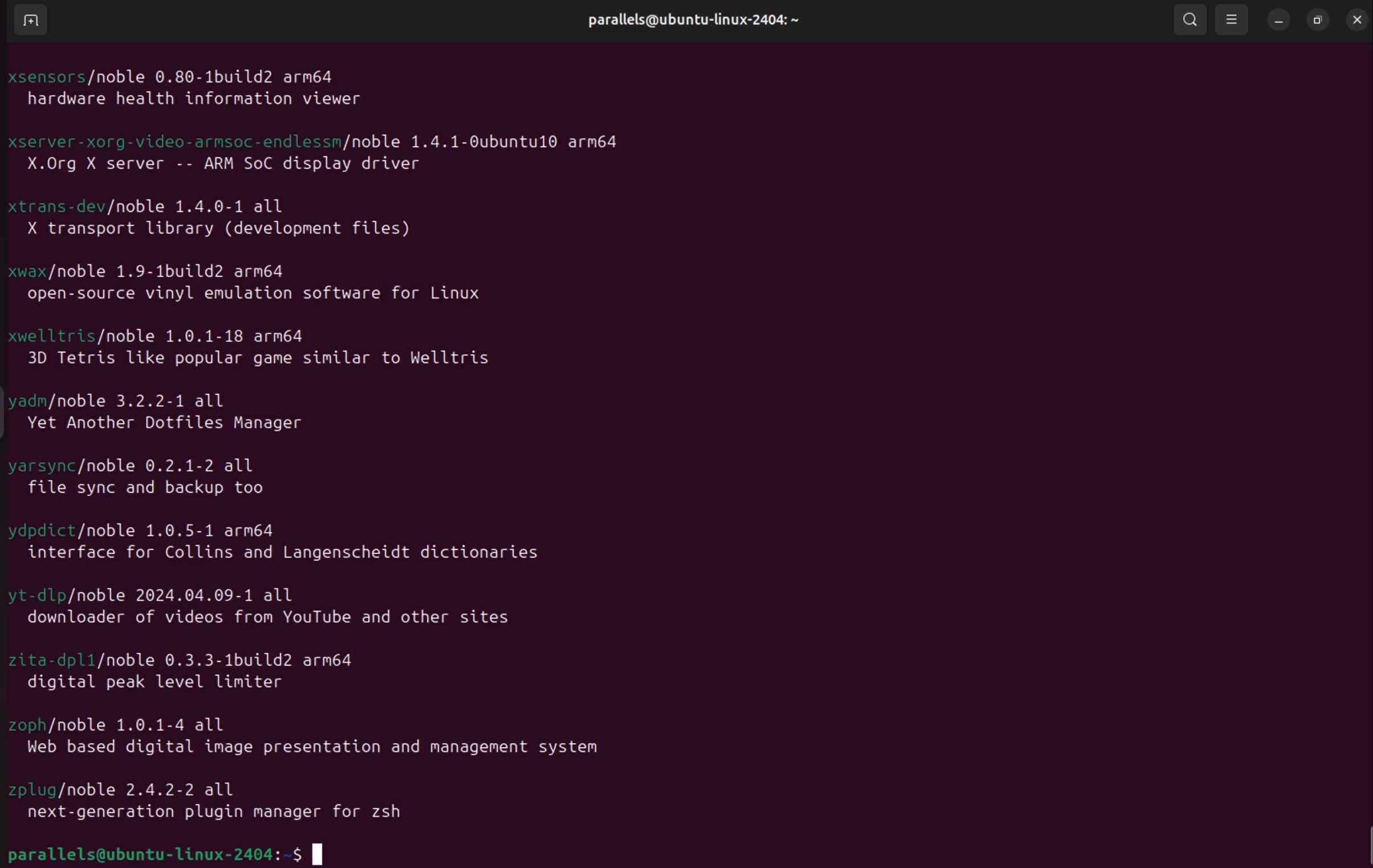 This screenshot has height=868, width=1373. What do you see at coordinates (224, 801) in the screenshot?
I see `zplug/noble 2.4.2-2 all
next-generation plugin manager for zsh` at bounding box center [224, 801].